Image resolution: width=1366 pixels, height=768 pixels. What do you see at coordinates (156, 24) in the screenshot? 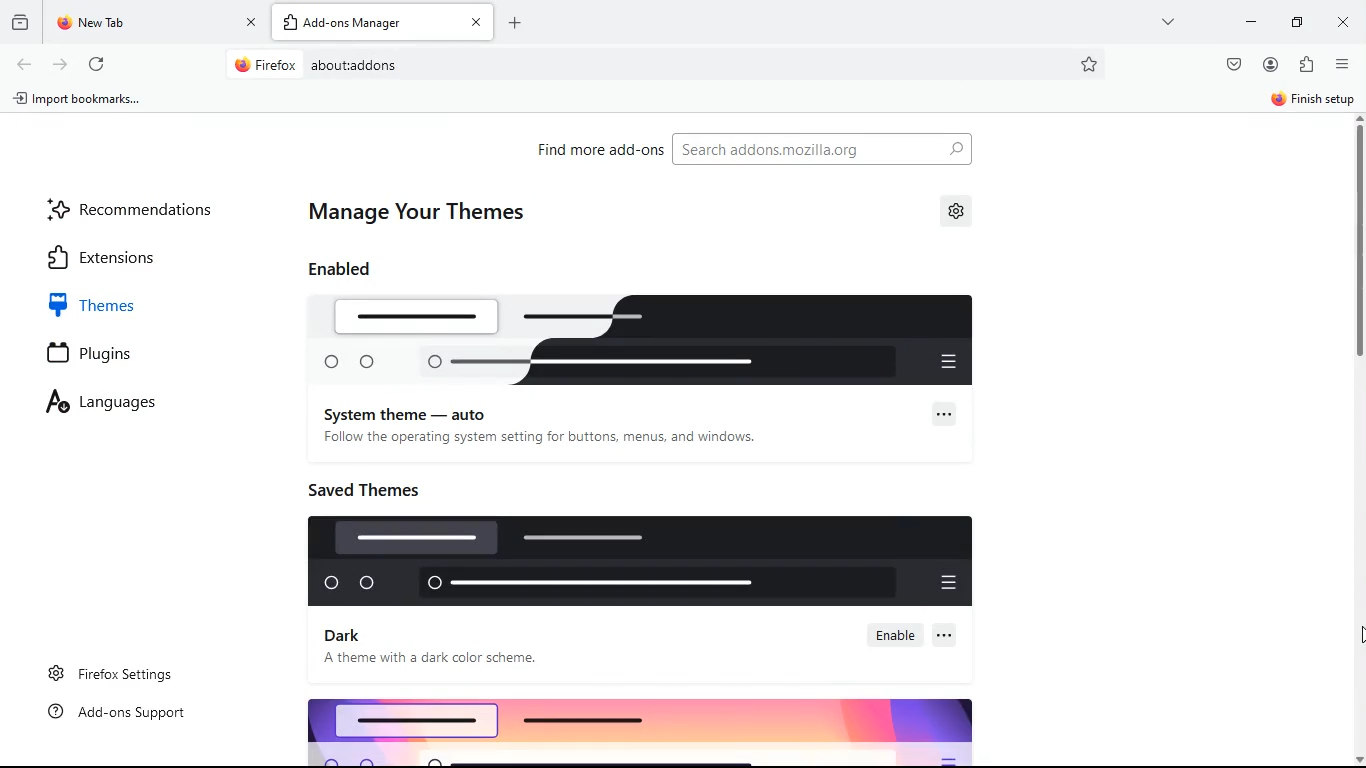
I see `tab` at bounding box center [156, 24].